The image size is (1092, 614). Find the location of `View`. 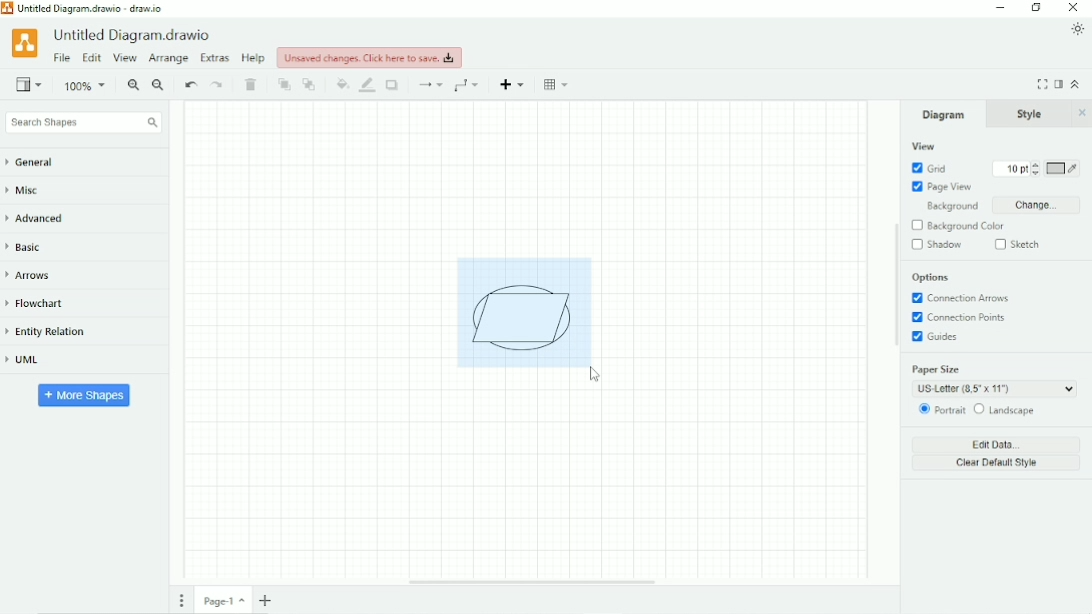

View is located at coordinates (29, 83).